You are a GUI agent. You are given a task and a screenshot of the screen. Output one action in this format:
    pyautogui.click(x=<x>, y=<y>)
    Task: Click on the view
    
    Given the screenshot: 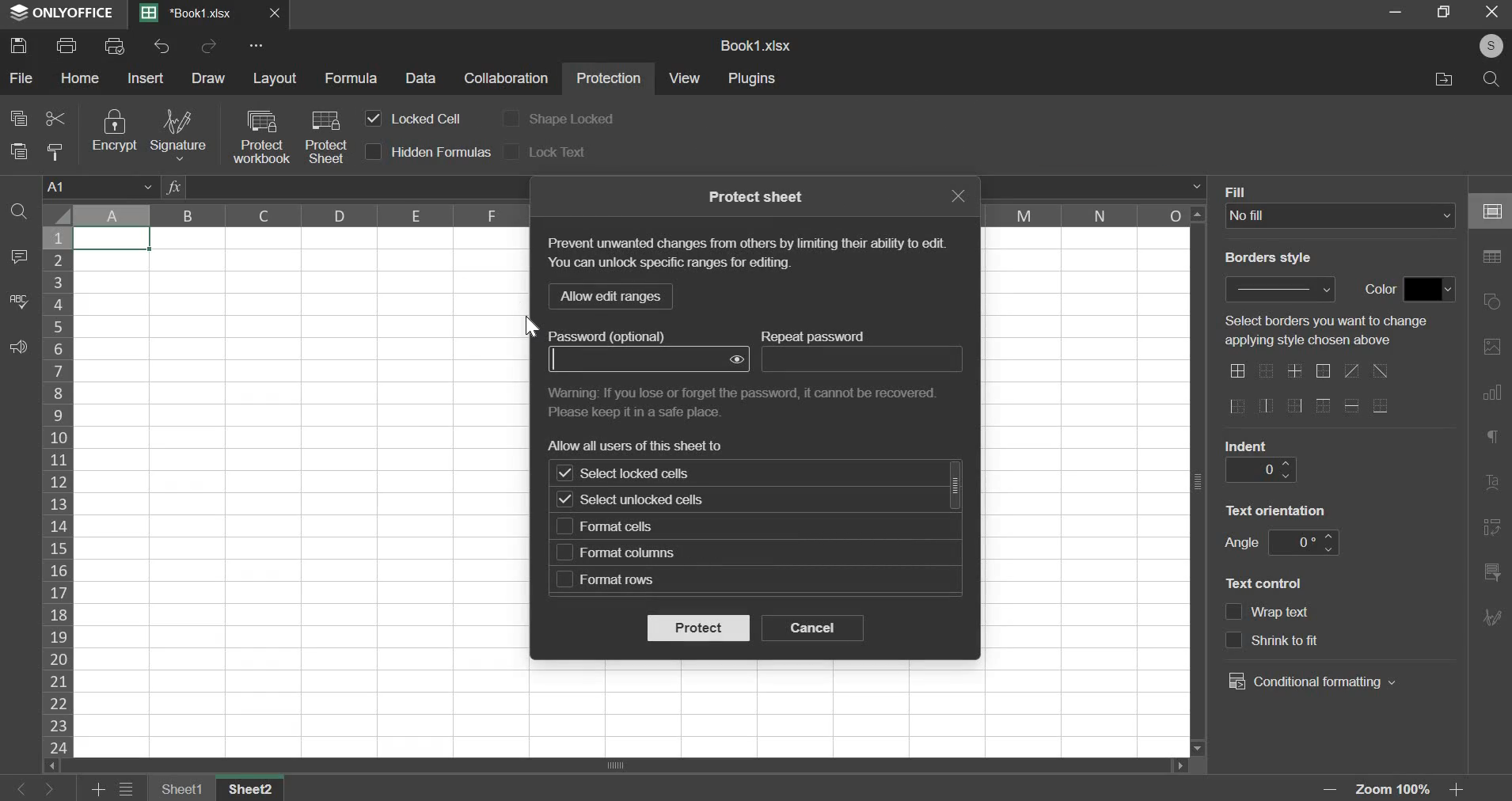 What is the action you would take?
    pyautogui.click(x=686, y=78)
    